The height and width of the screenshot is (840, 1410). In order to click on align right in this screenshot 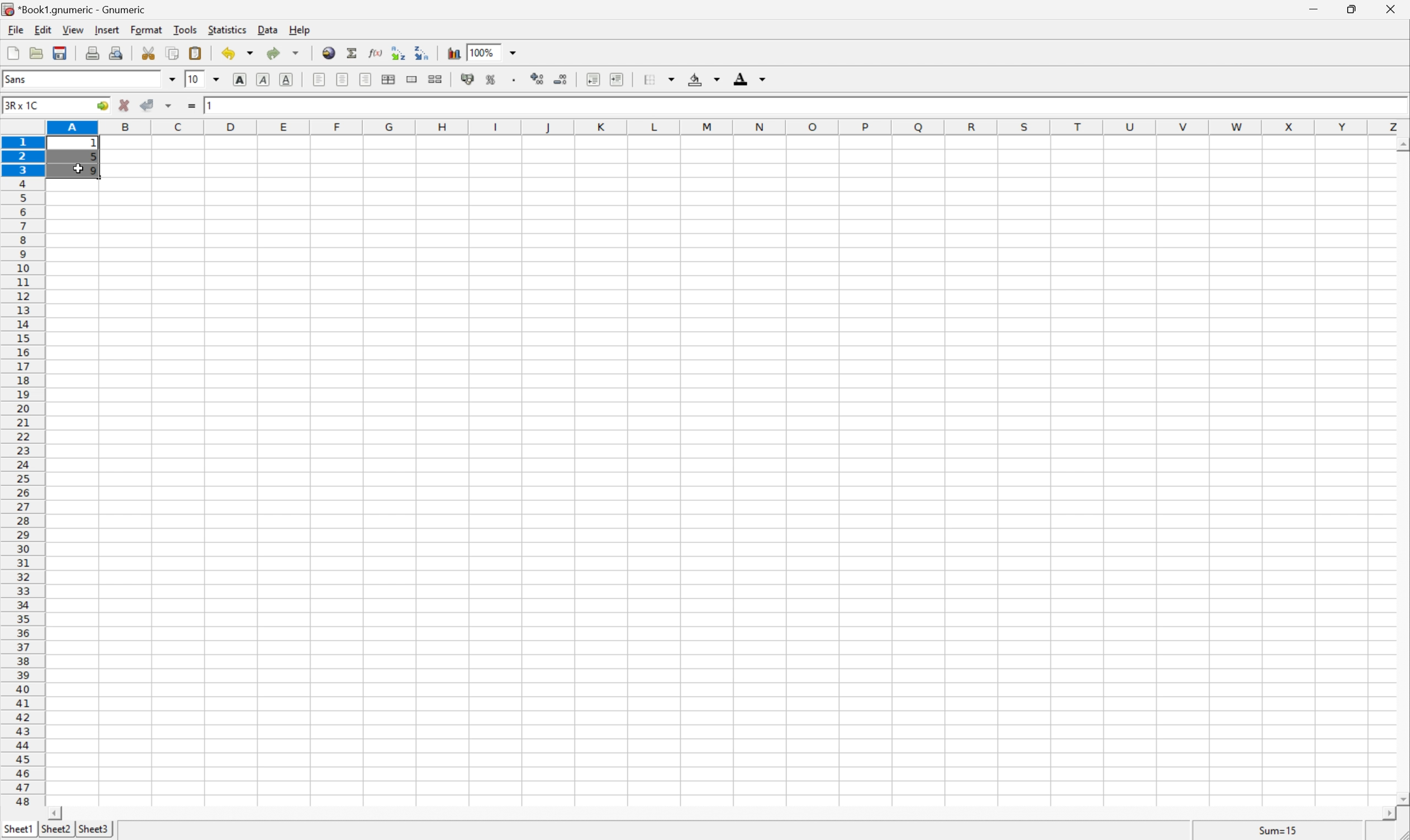, I will do `click(367, 79)`.